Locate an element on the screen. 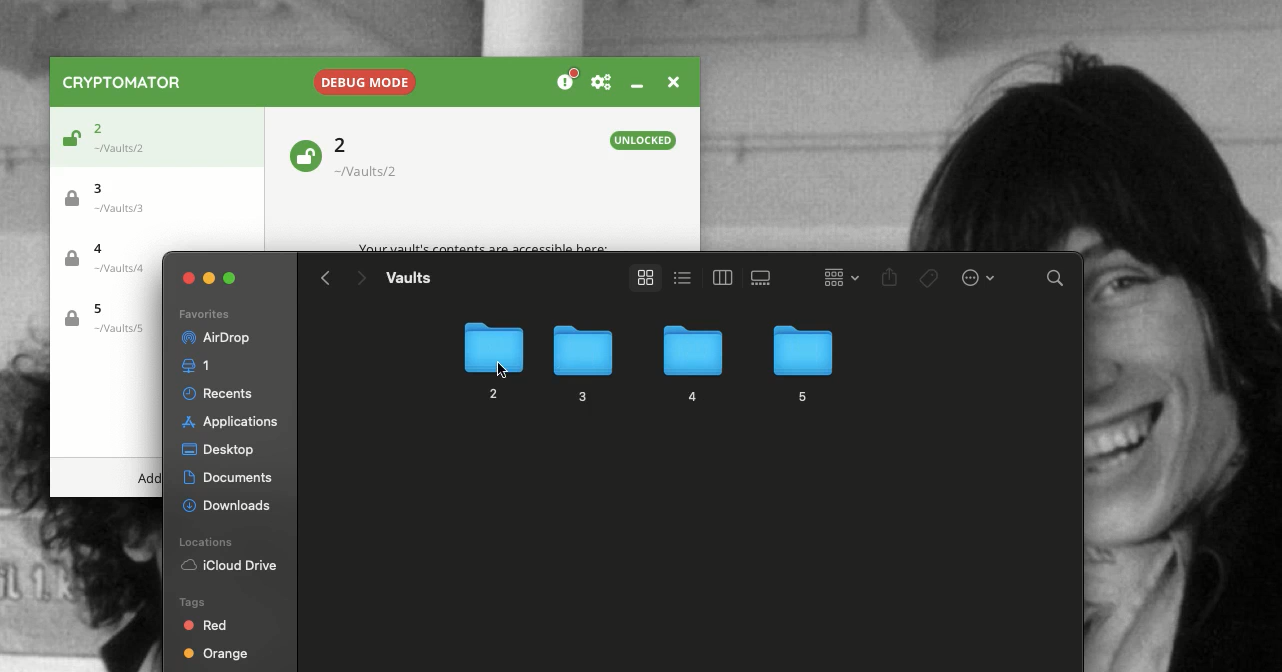 The image size is (1282, 672). Favorites list is located at coordinates (203, 315).